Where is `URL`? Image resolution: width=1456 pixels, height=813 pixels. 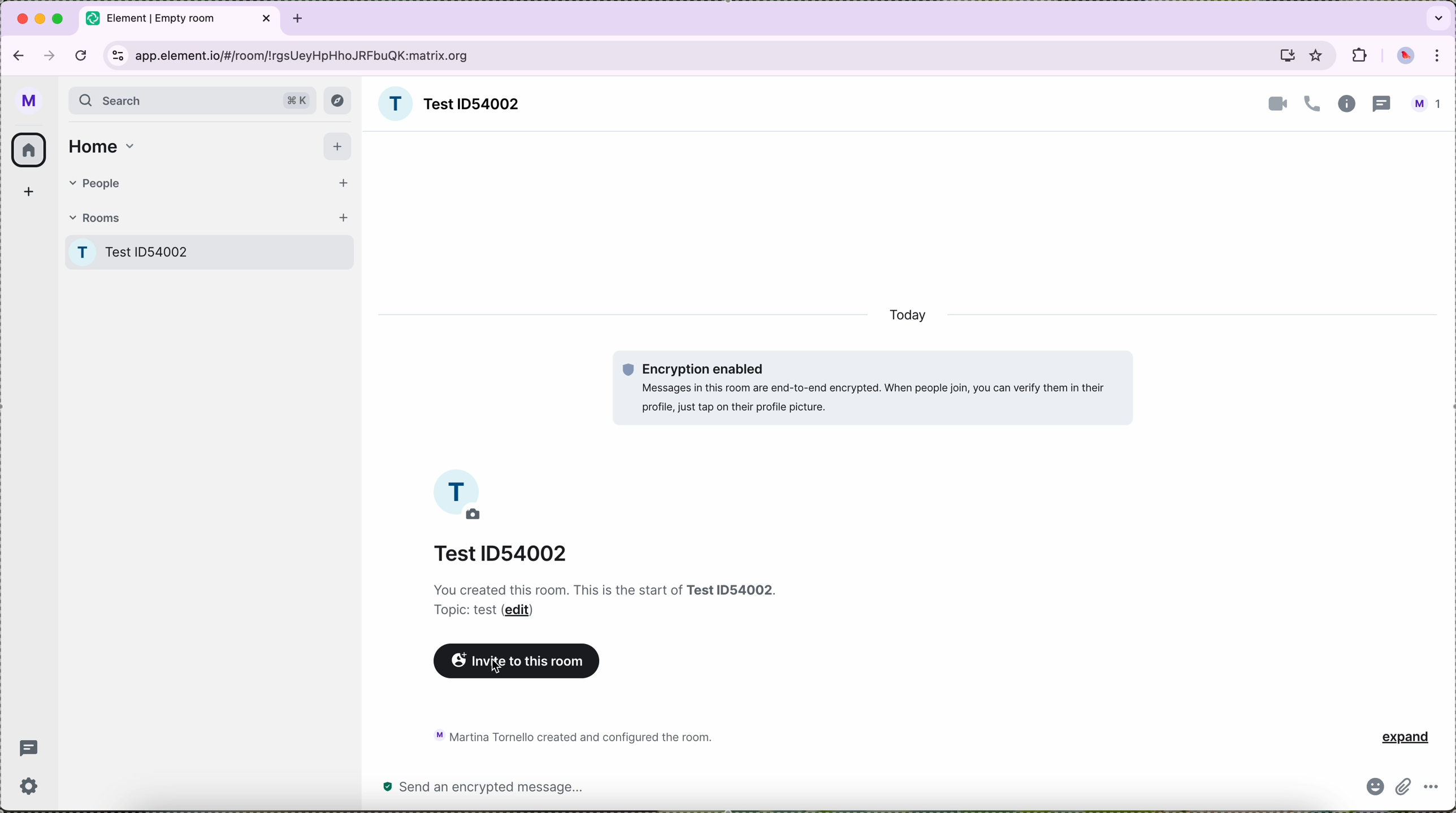 URL is located at coordinates (304, 55).